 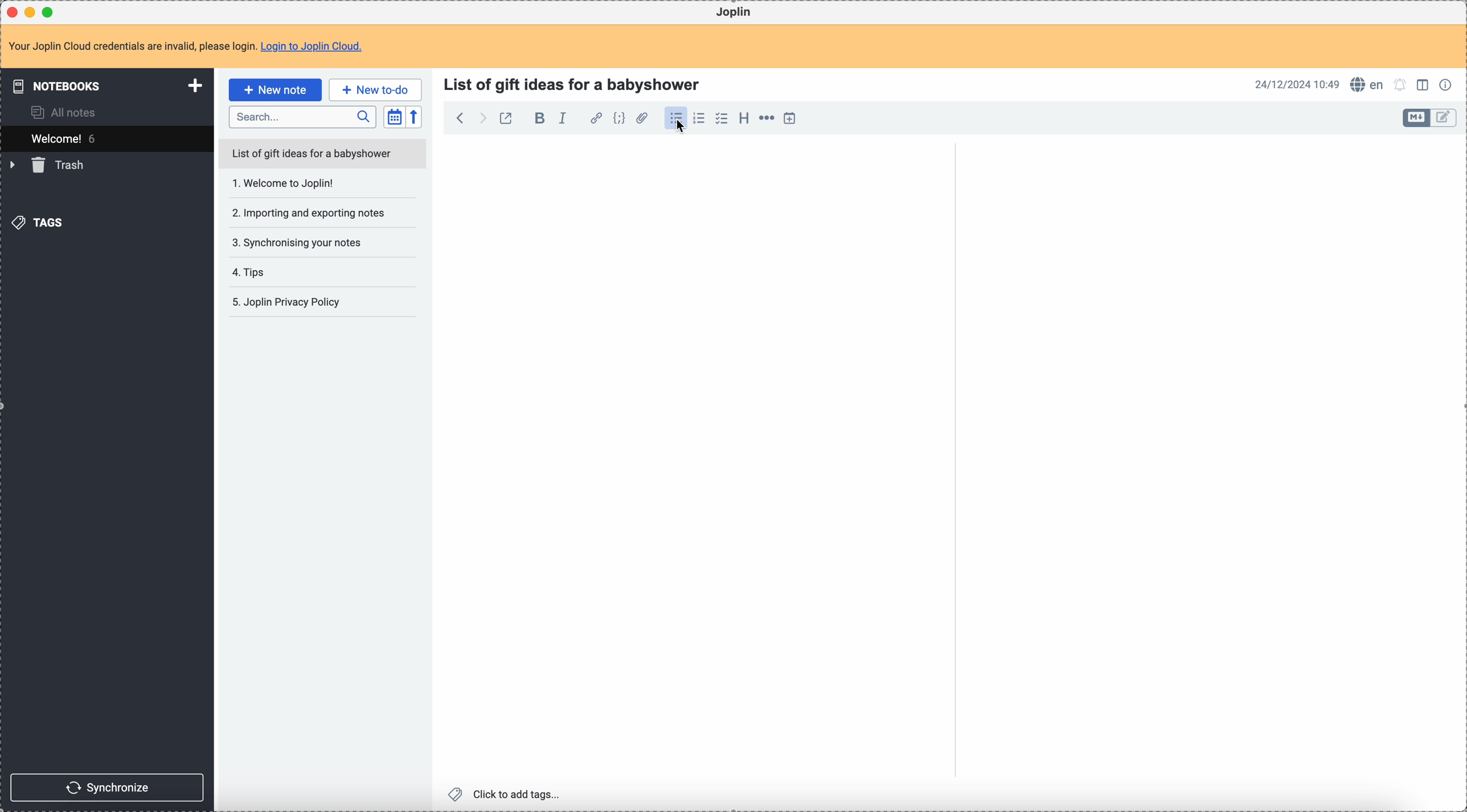 I want to click on click to add tags, so click(x=505, y=794).